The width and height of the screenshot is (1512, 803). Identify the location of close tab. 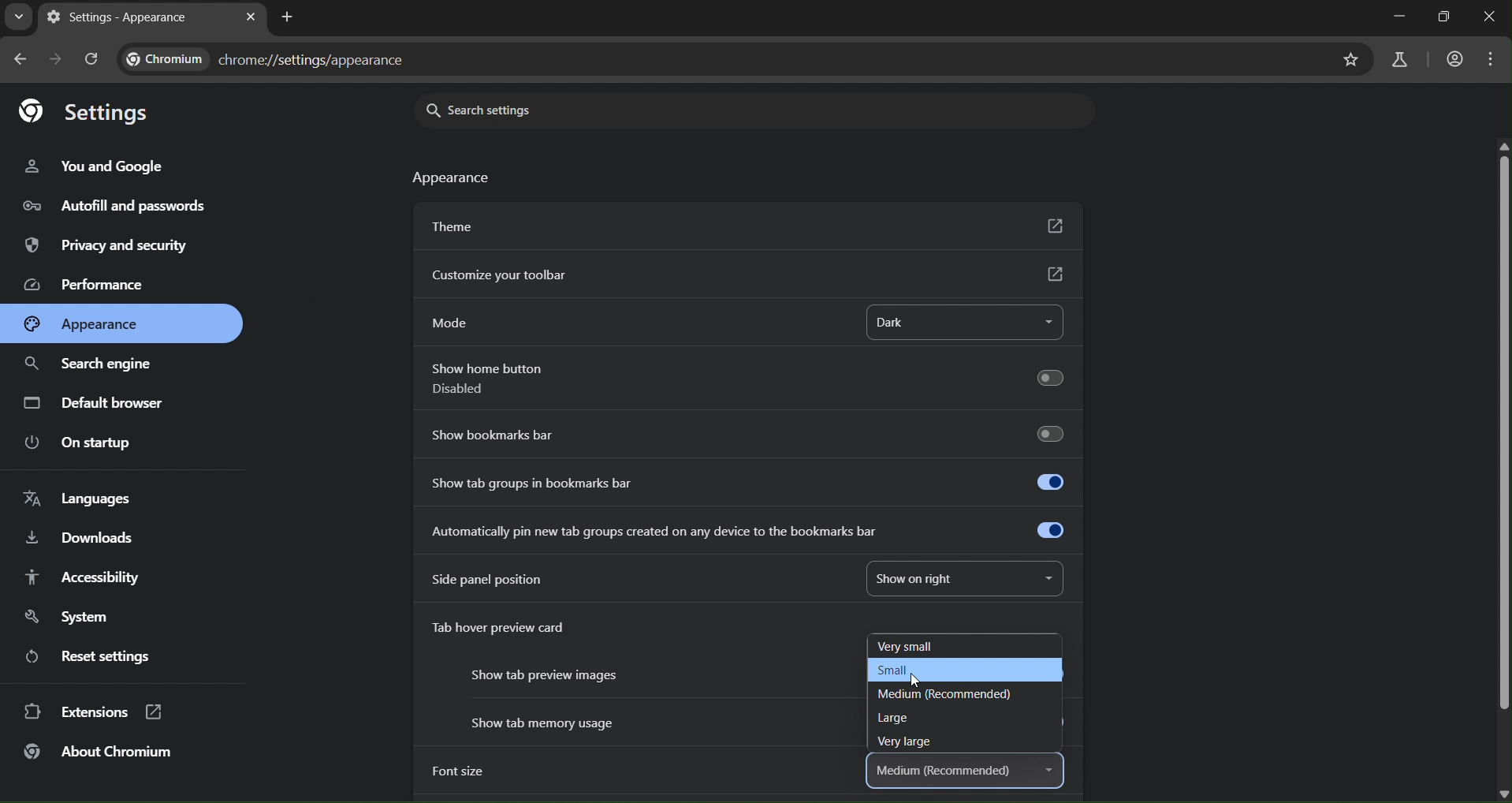
(249, 16).